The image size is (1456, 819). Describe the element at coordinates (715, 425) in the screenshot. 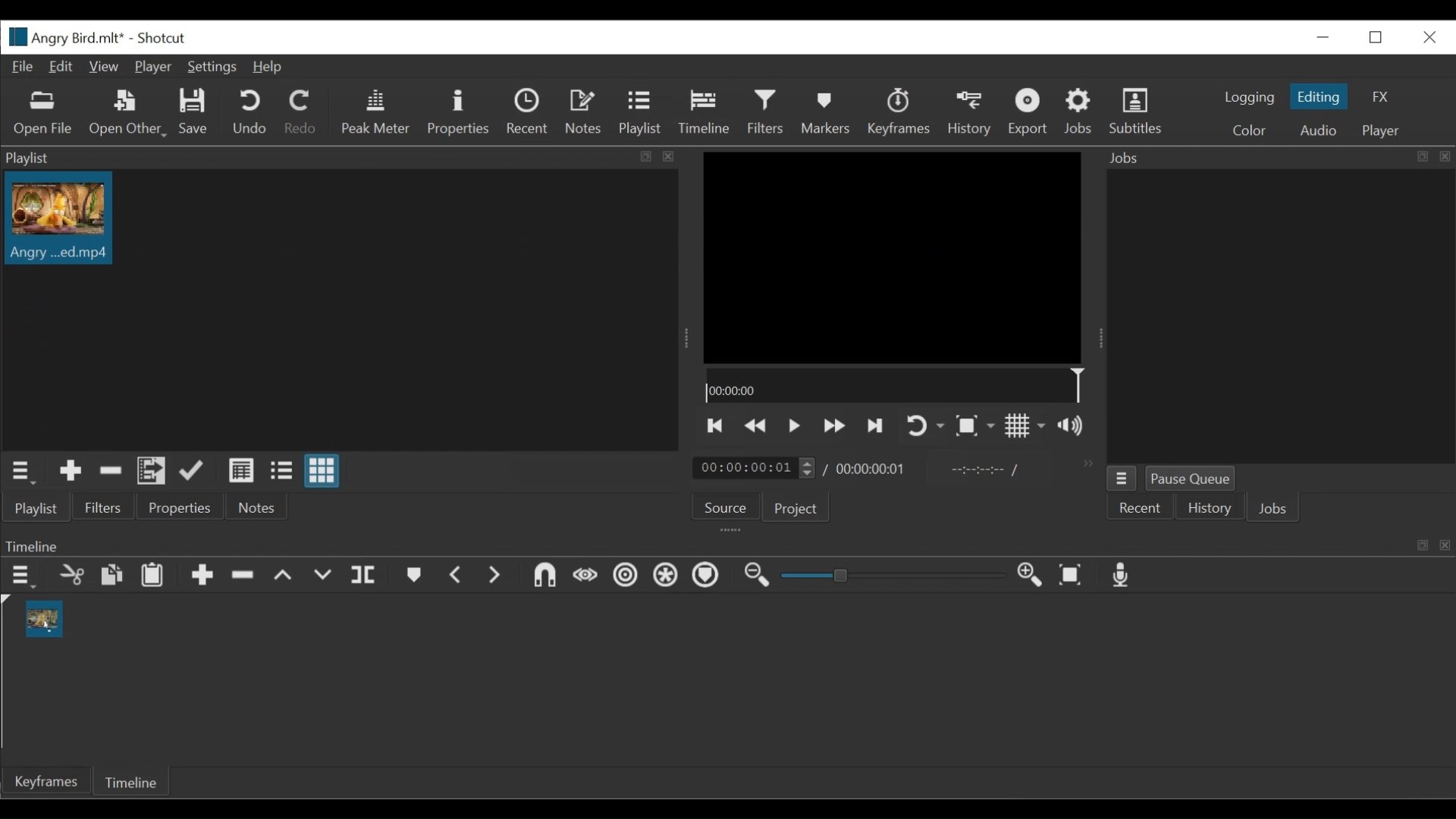

I see `Skip to the previous point` at that location.